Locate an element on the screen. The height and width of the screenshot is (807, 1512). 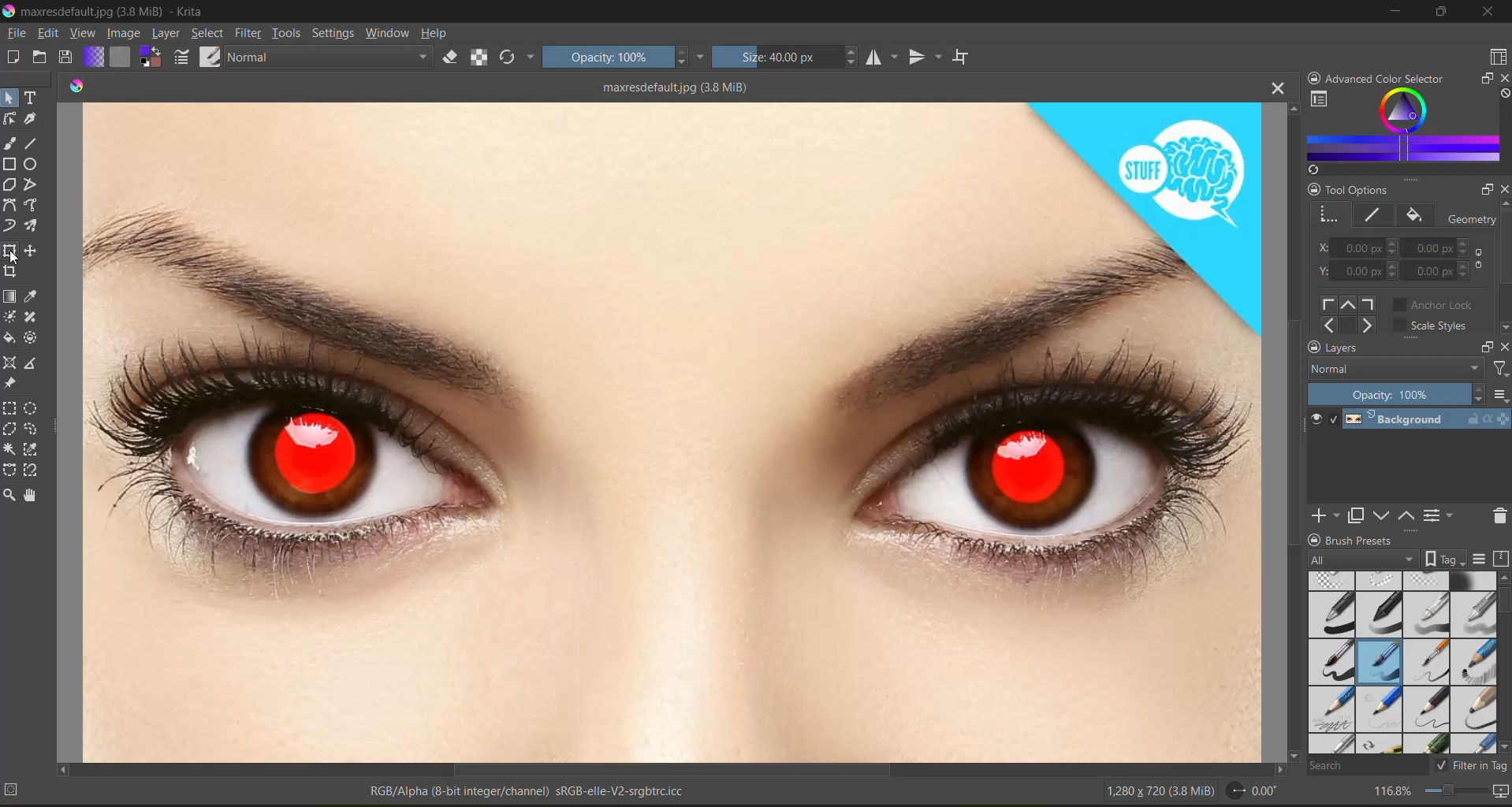
view or change layer properties is located at coordinates (1440, 515).